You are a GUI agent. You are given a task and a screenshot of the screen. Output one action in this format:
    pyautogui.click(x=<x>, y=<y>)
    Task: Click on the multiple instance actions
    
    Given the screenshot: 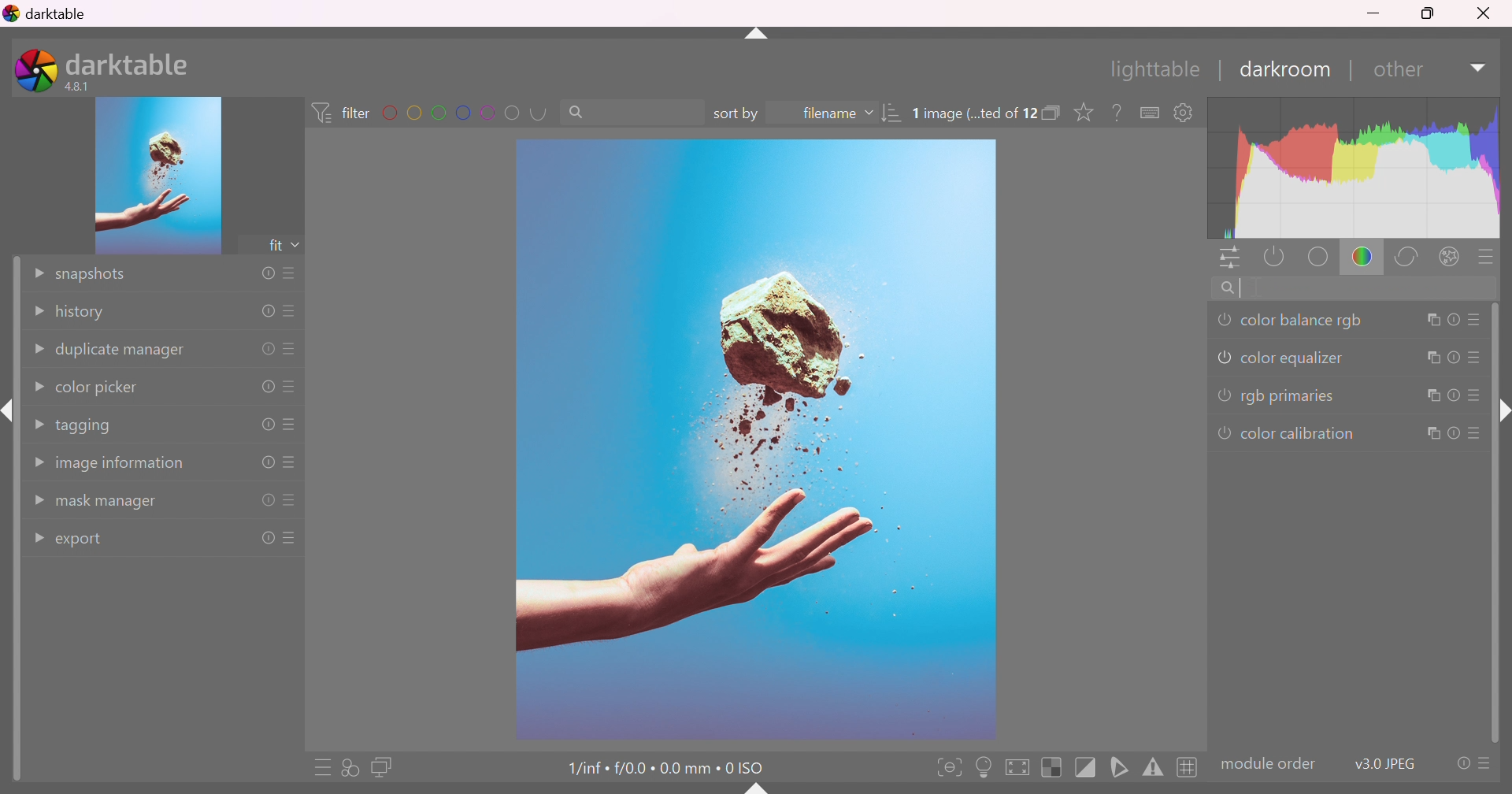 What is the action you would take?
    pyautogui.click(x=1430, y=359)
    